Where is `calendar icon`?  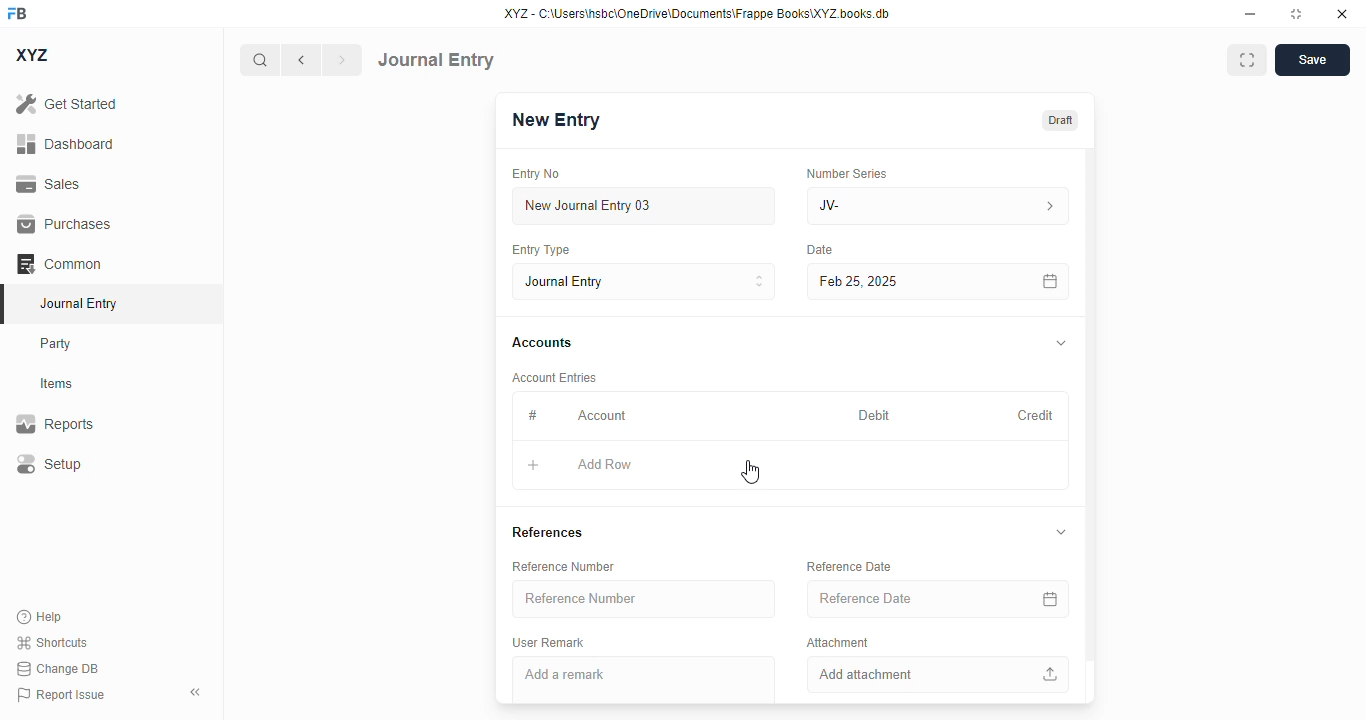
calendar icon is located at coordinates (1051, 282).